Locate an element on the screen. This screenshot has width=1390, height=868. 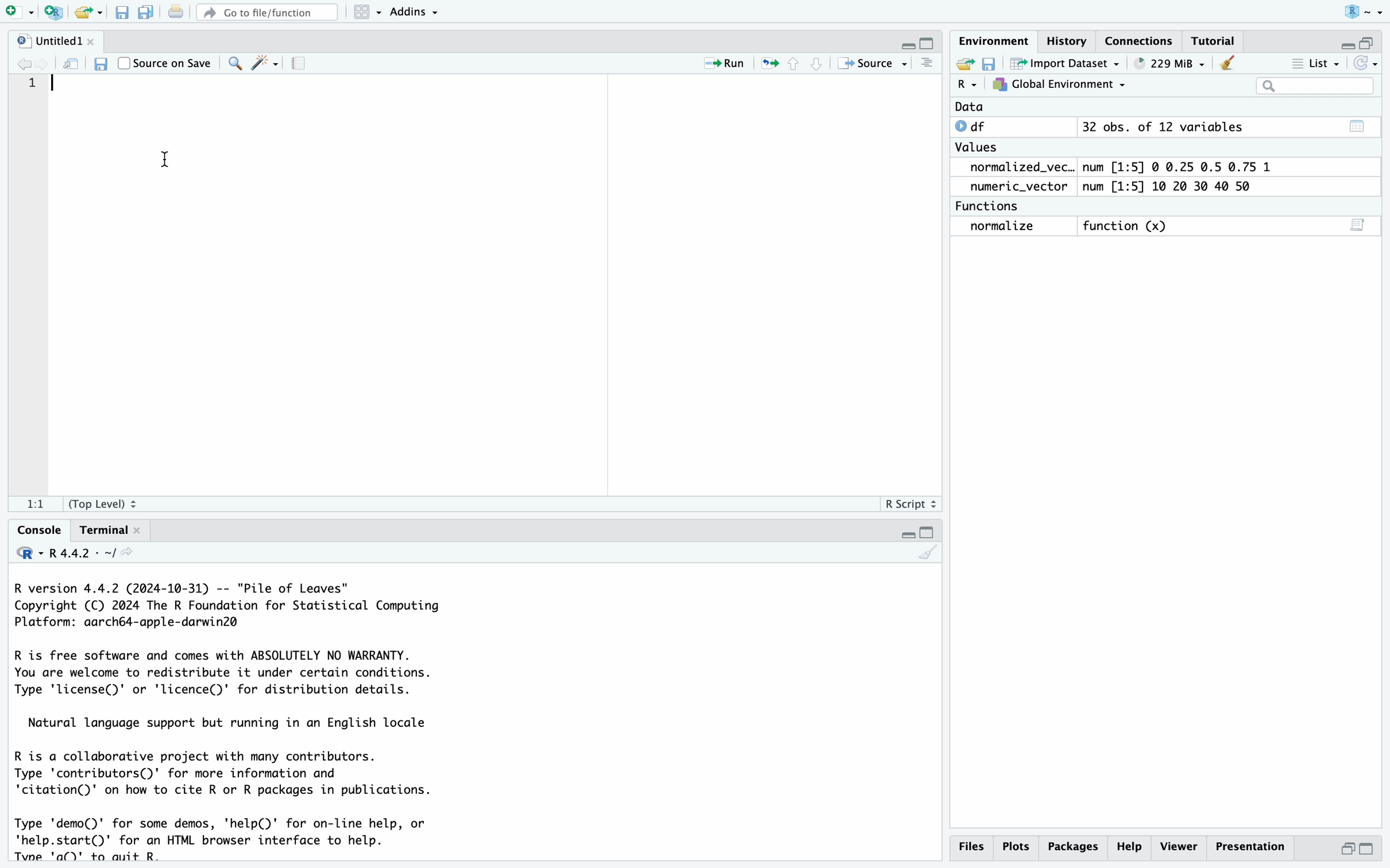
Terminal is located at coordinates (104, 532).